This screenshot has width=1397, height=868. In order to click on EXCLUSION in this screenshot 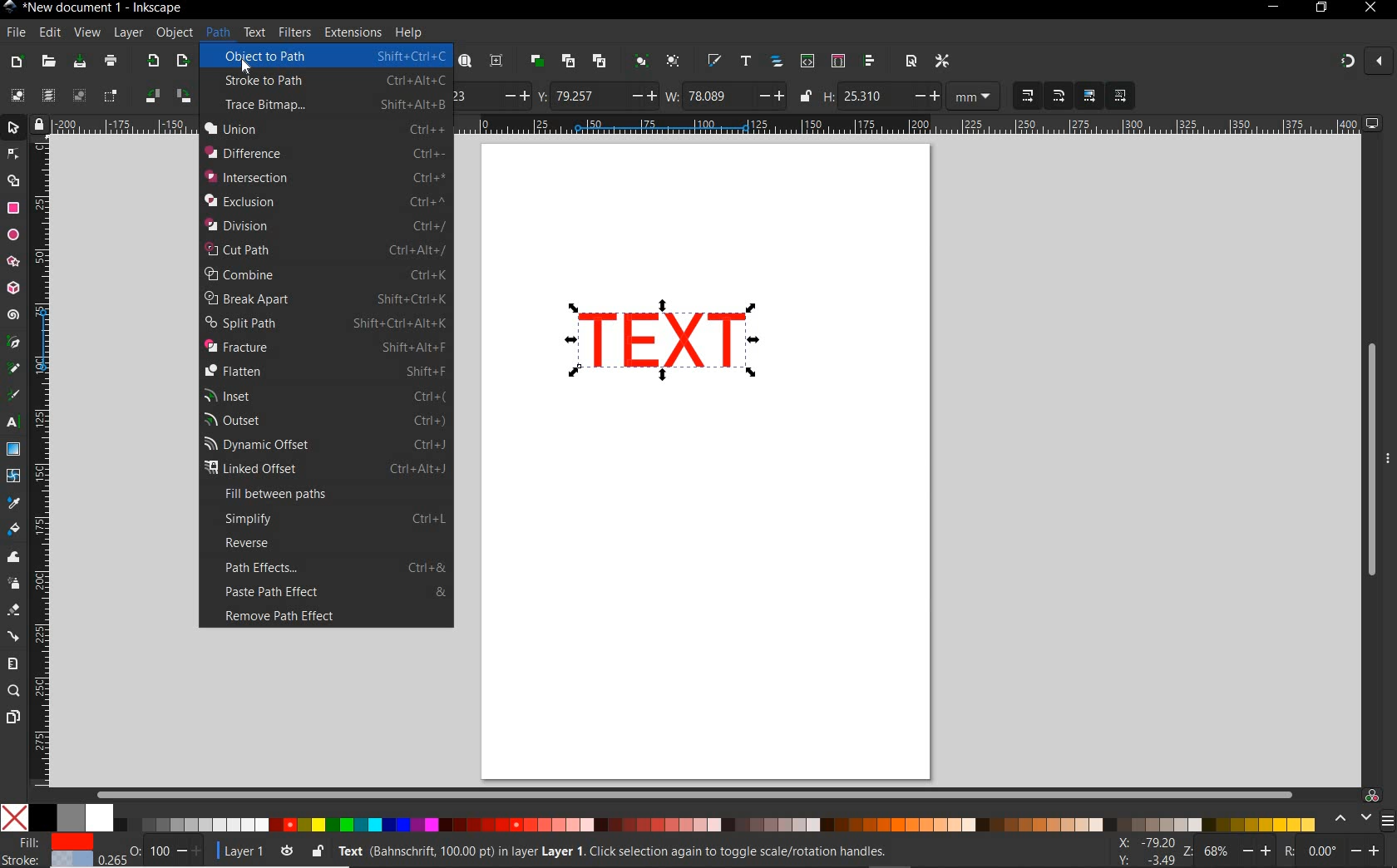, I will do `click(324, 200)`.